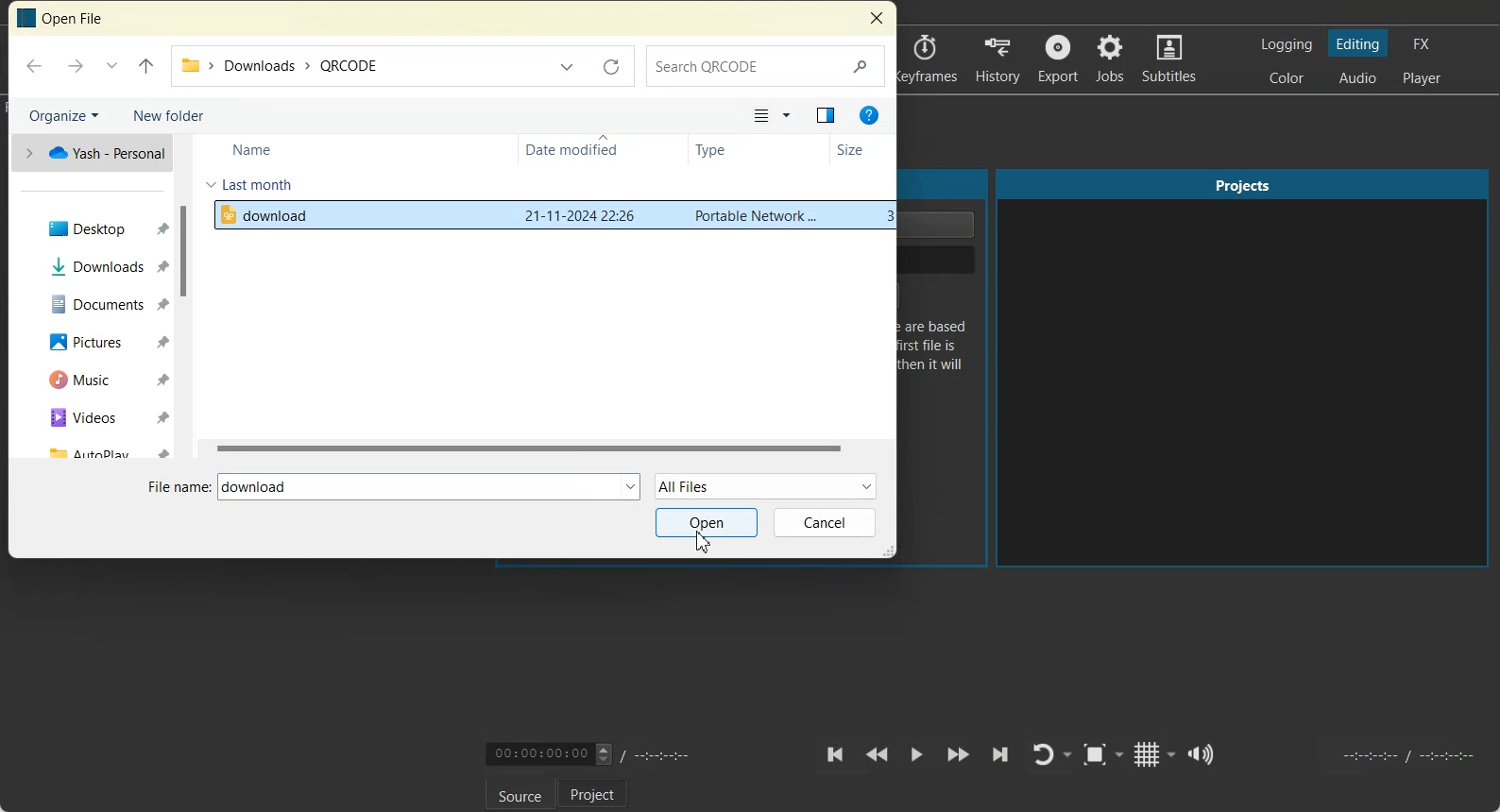  What do you see at coordinates (592, 793) in the screenshot?
I see `Project` at bounding box center [592, 793].